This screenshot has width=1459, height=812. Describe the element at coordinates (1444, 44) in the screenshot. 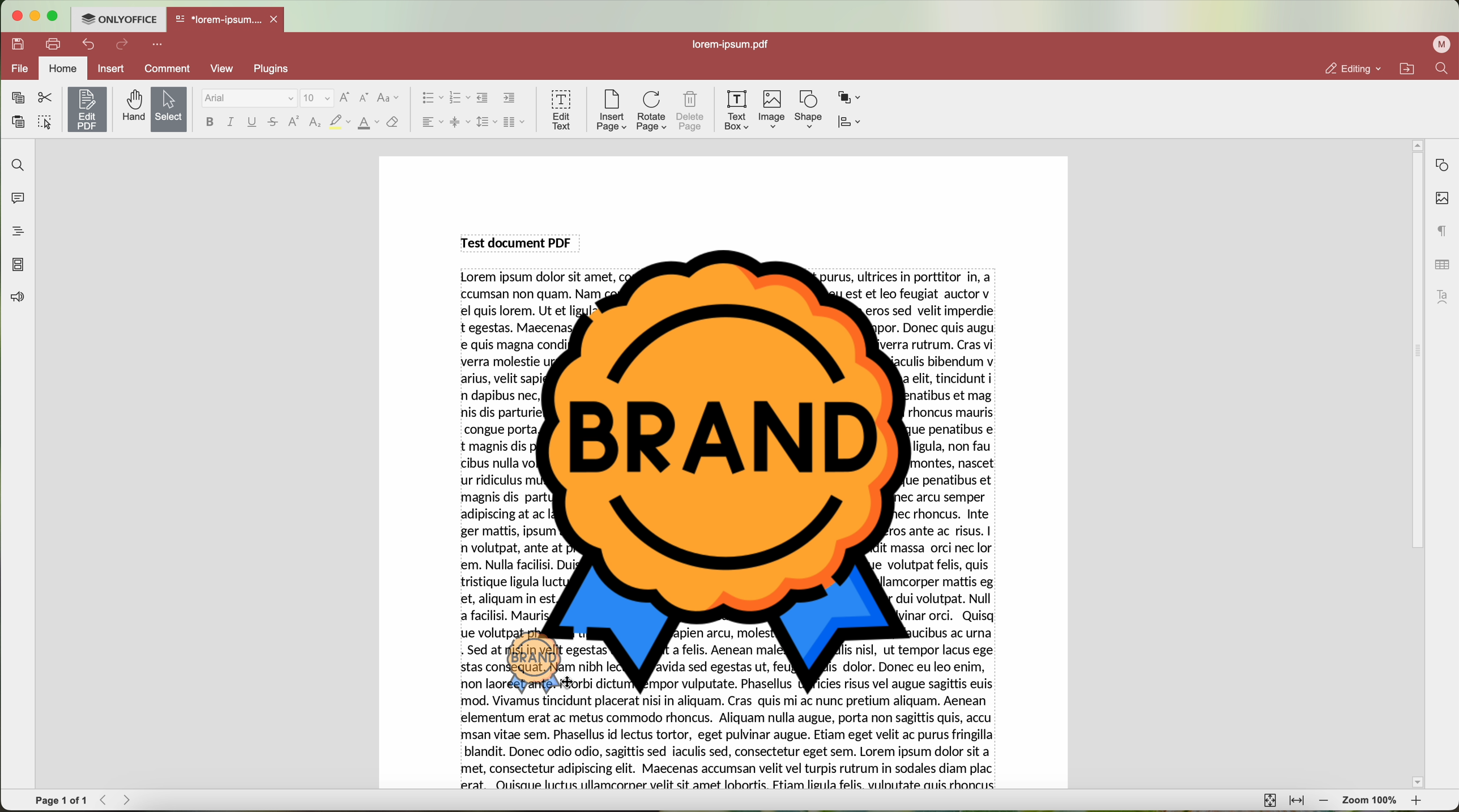

I see `profile` at that location.